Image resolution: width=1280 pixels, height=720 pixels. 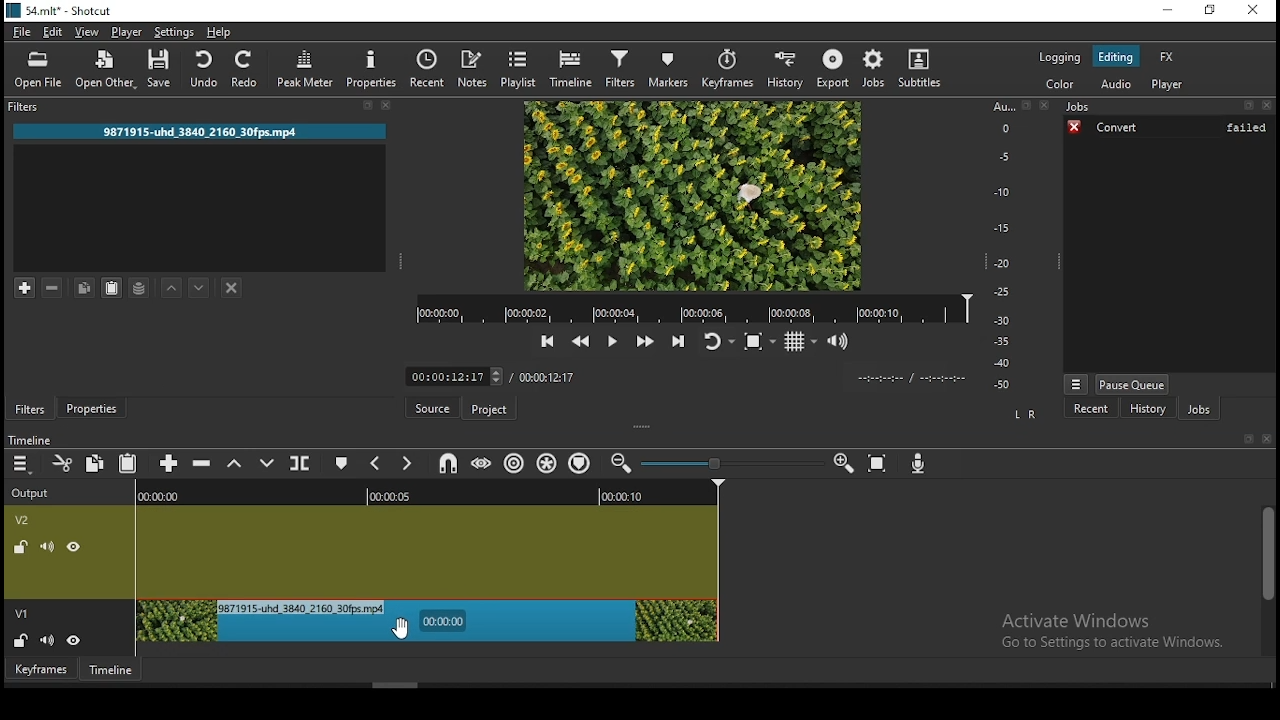 I want to click on redo, so click(x=246, y=69).